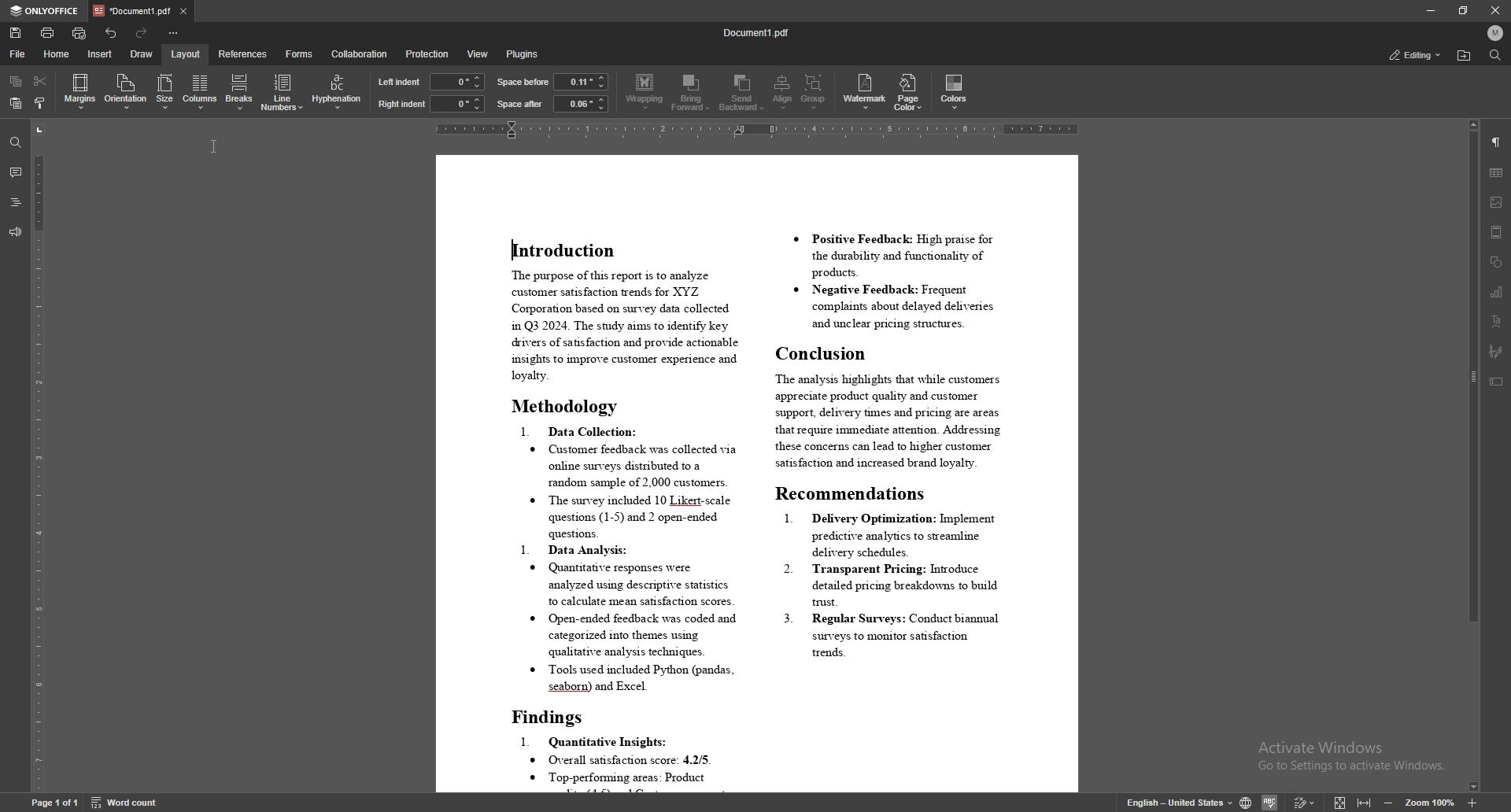 The width and height of the screenshot is (1511, 812). What do you see at coordinates (1170, 800) in the screenshot?
I see `change text language` at bounding box center [1170, 800].